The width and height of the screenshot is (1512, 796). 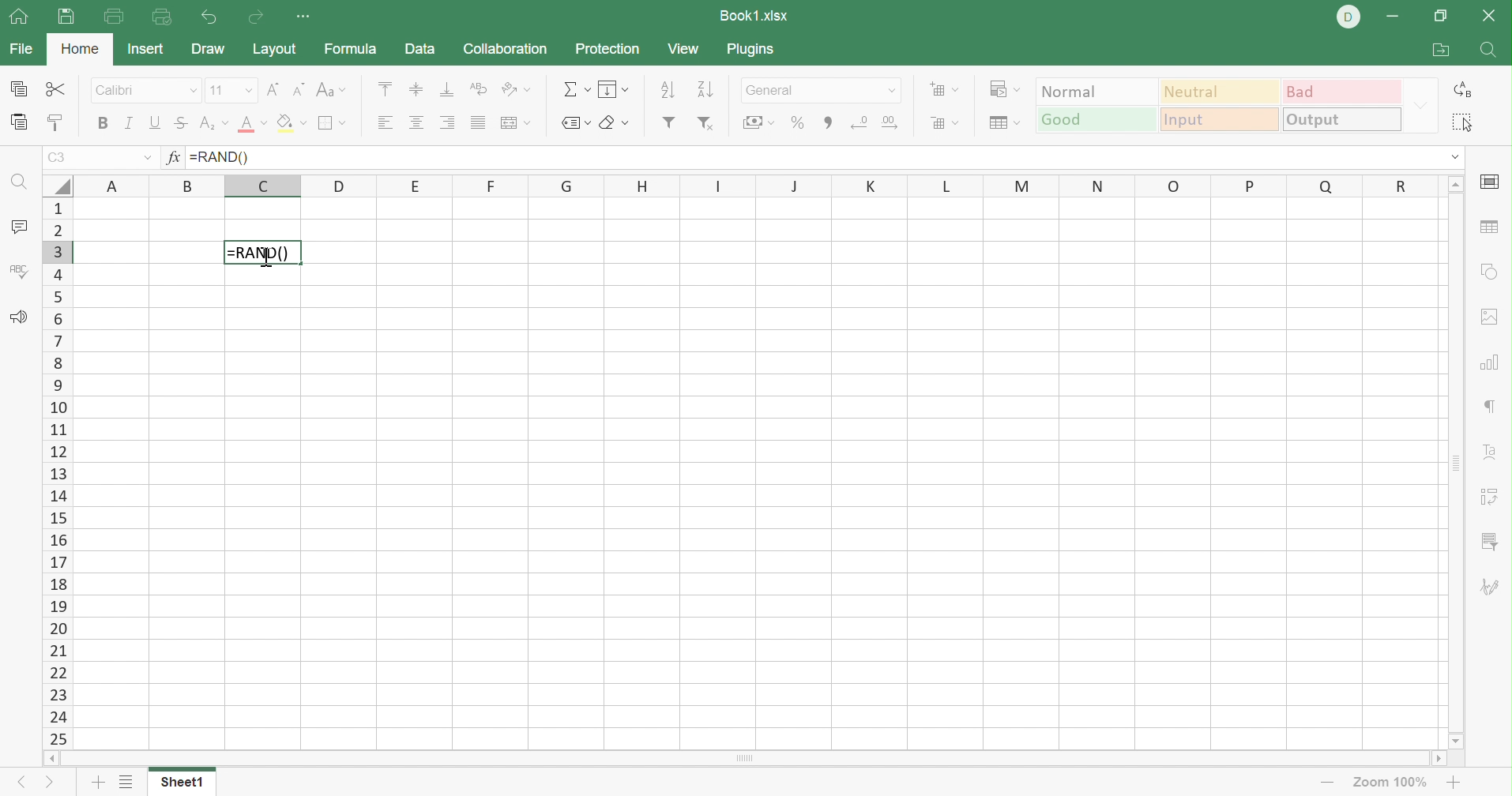 I want to click on Named ranges, so click(x=574, y=124).